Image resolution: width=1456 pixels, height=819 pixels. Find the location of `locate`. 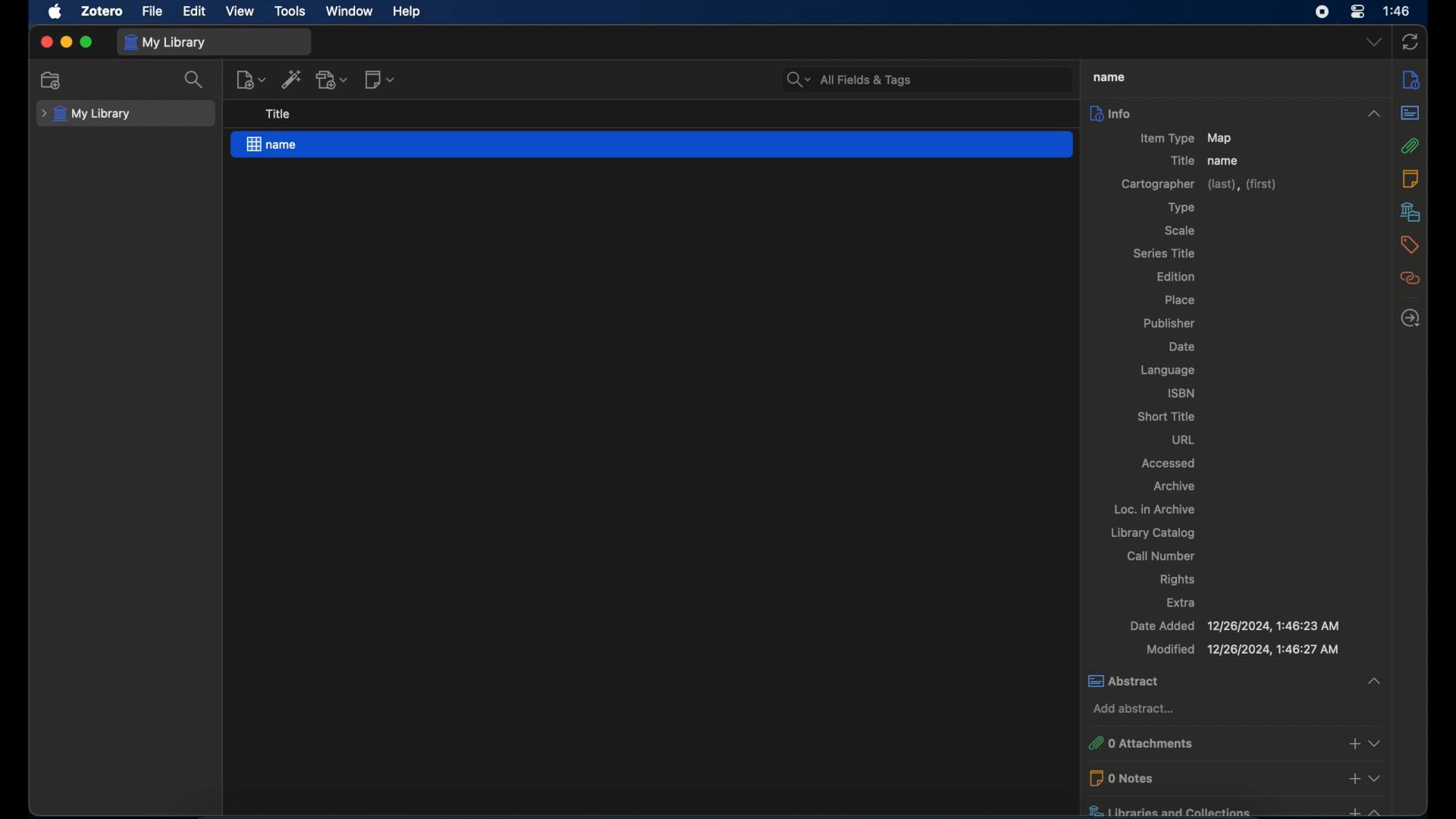

locate is located at coordinates (1410, 318).